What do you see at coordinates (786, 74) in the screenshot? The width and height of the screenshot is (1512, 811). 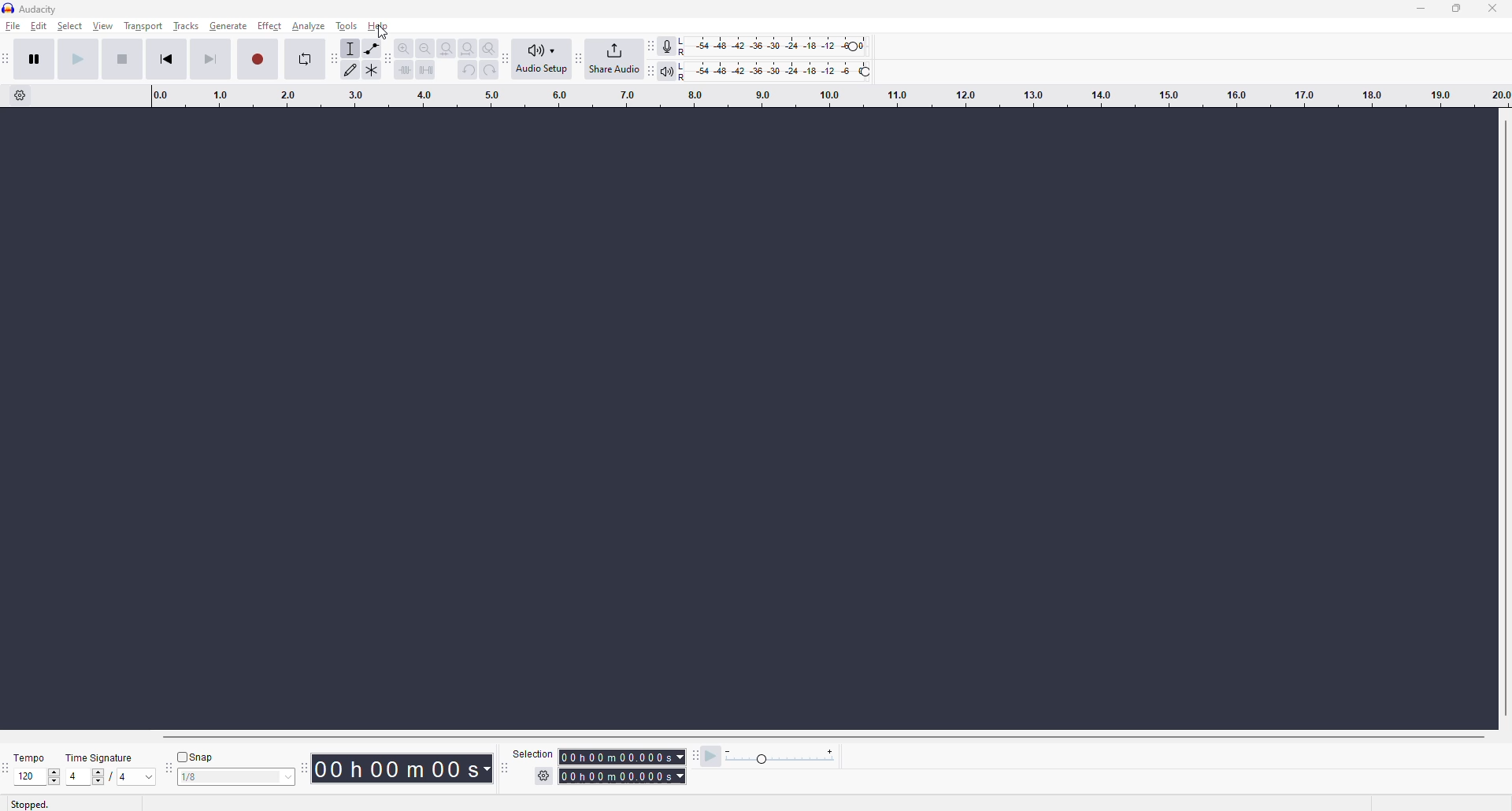 I see `playback level` at bounding box center [786, 74].